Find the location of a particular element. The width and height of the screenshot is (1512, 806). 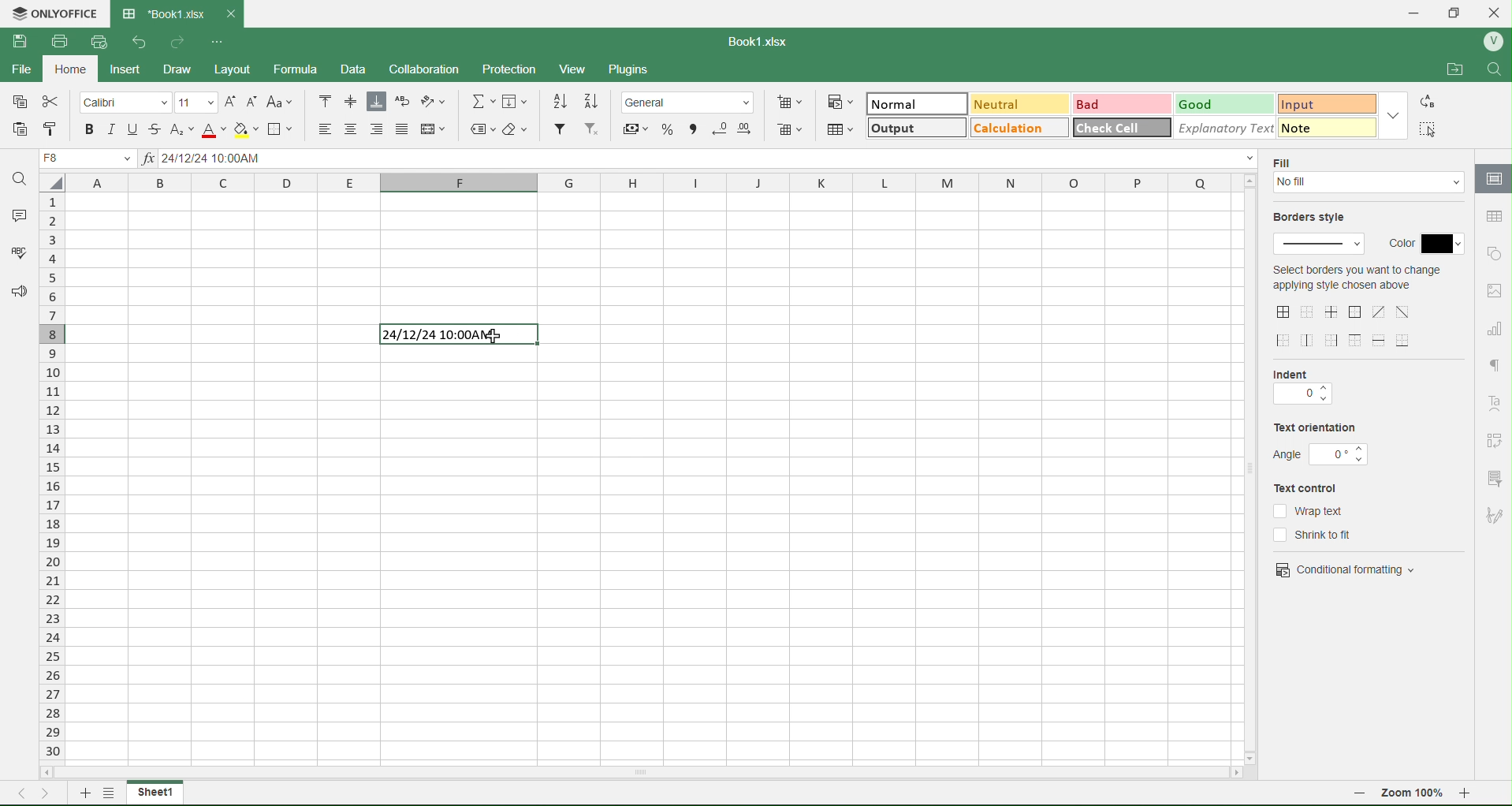

left border is located at coordinates (1285, 341).